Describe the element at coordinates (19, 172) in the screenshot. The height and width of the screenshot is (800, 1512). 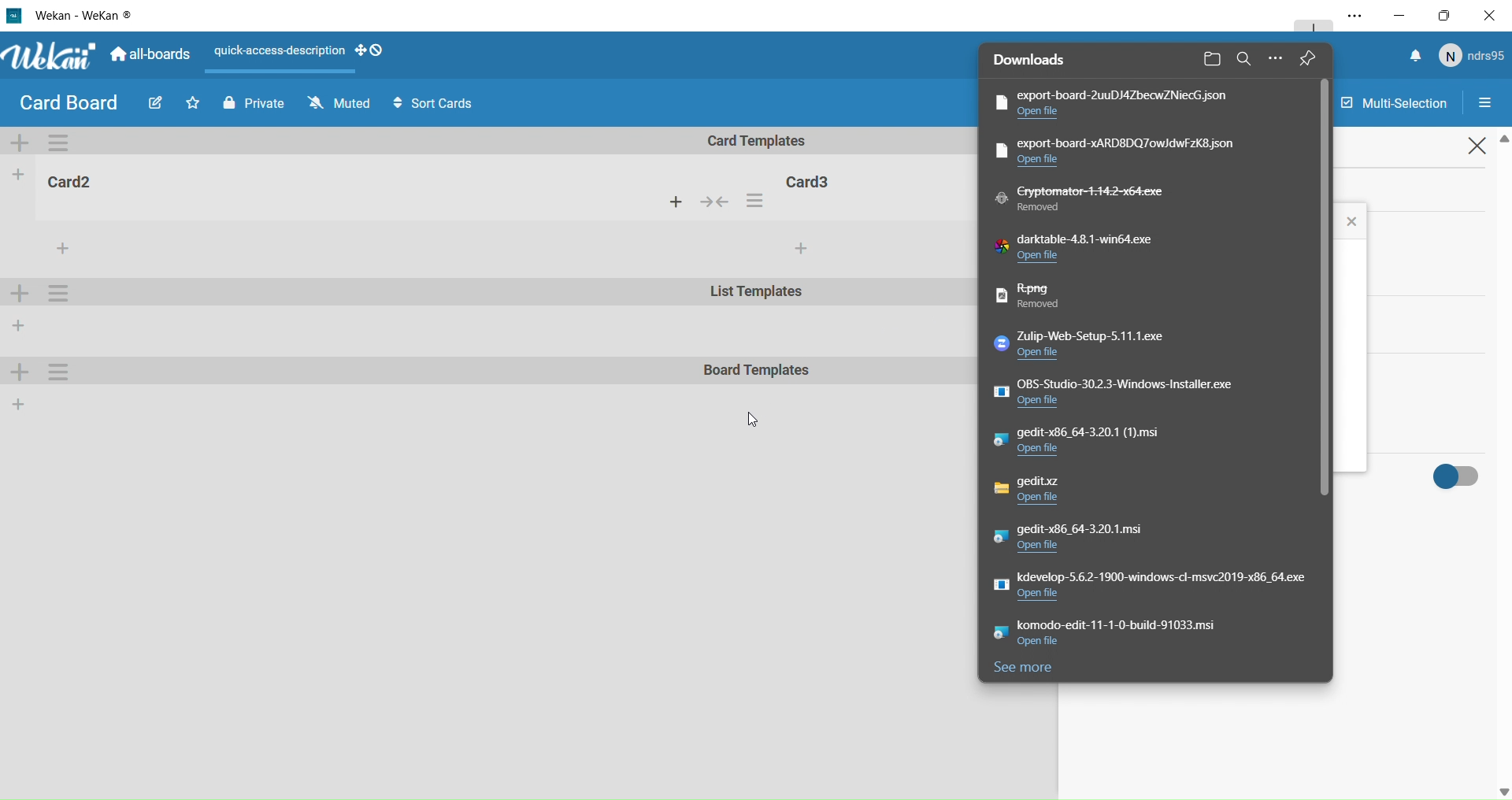
I see `` at that location.